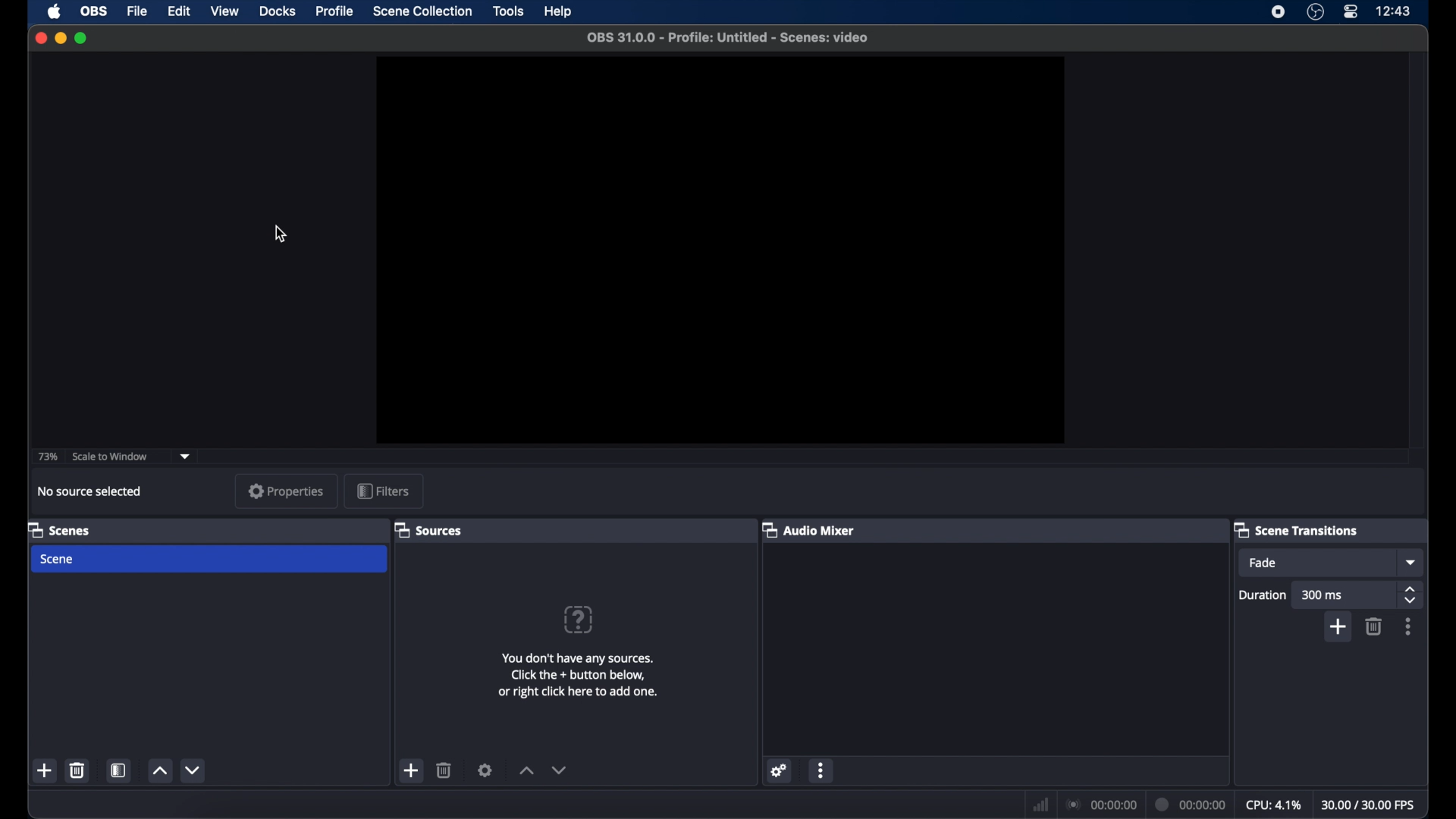 The width and height of the screenshot is (1456, 819). Describe the element at coordinates (335, 11) in the screenshot. I see `profile` at that location.